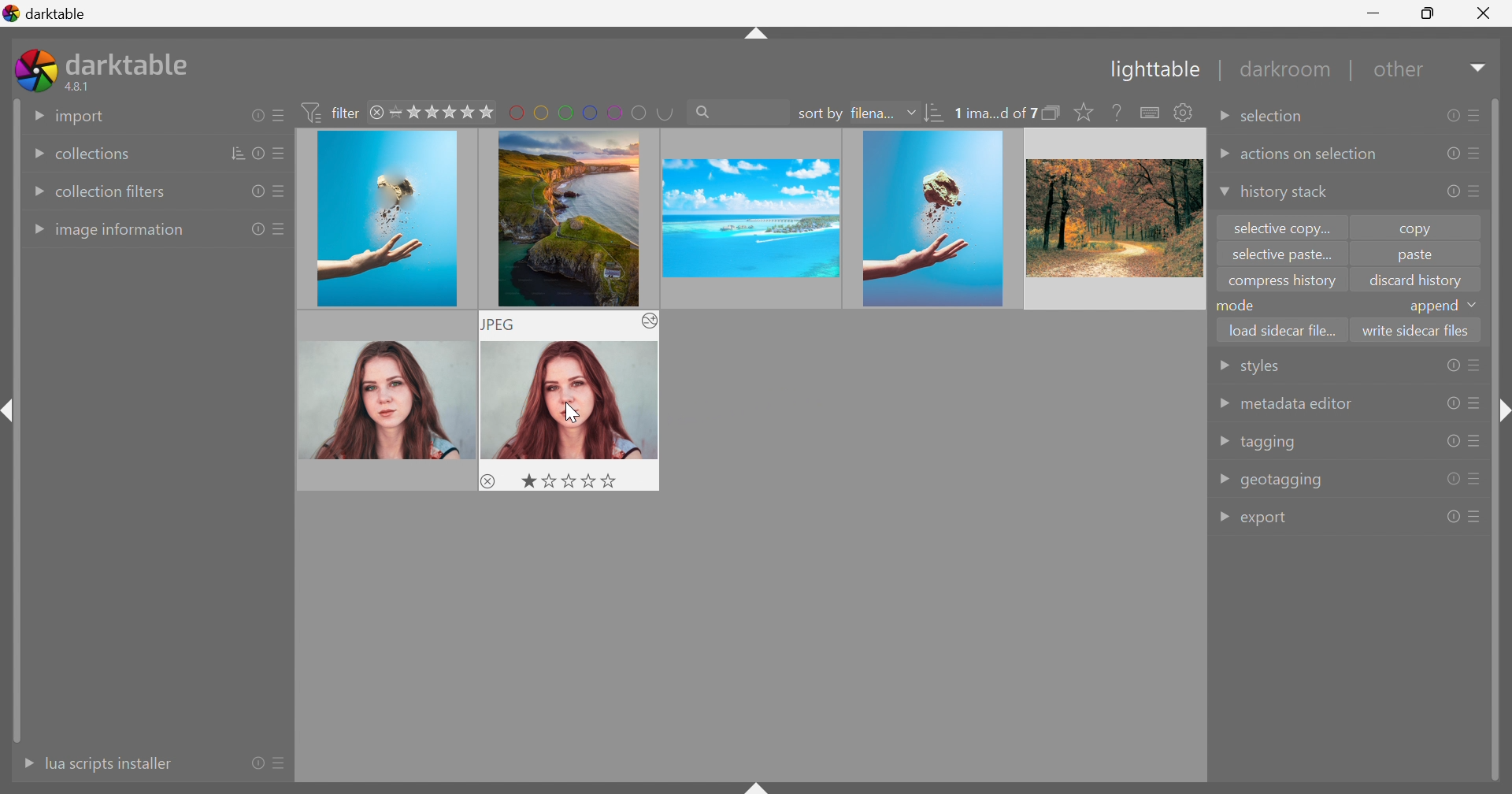 Image resolution: width=1512 pixels, height=794 pixels. I want to click on image, so click(565, 217).